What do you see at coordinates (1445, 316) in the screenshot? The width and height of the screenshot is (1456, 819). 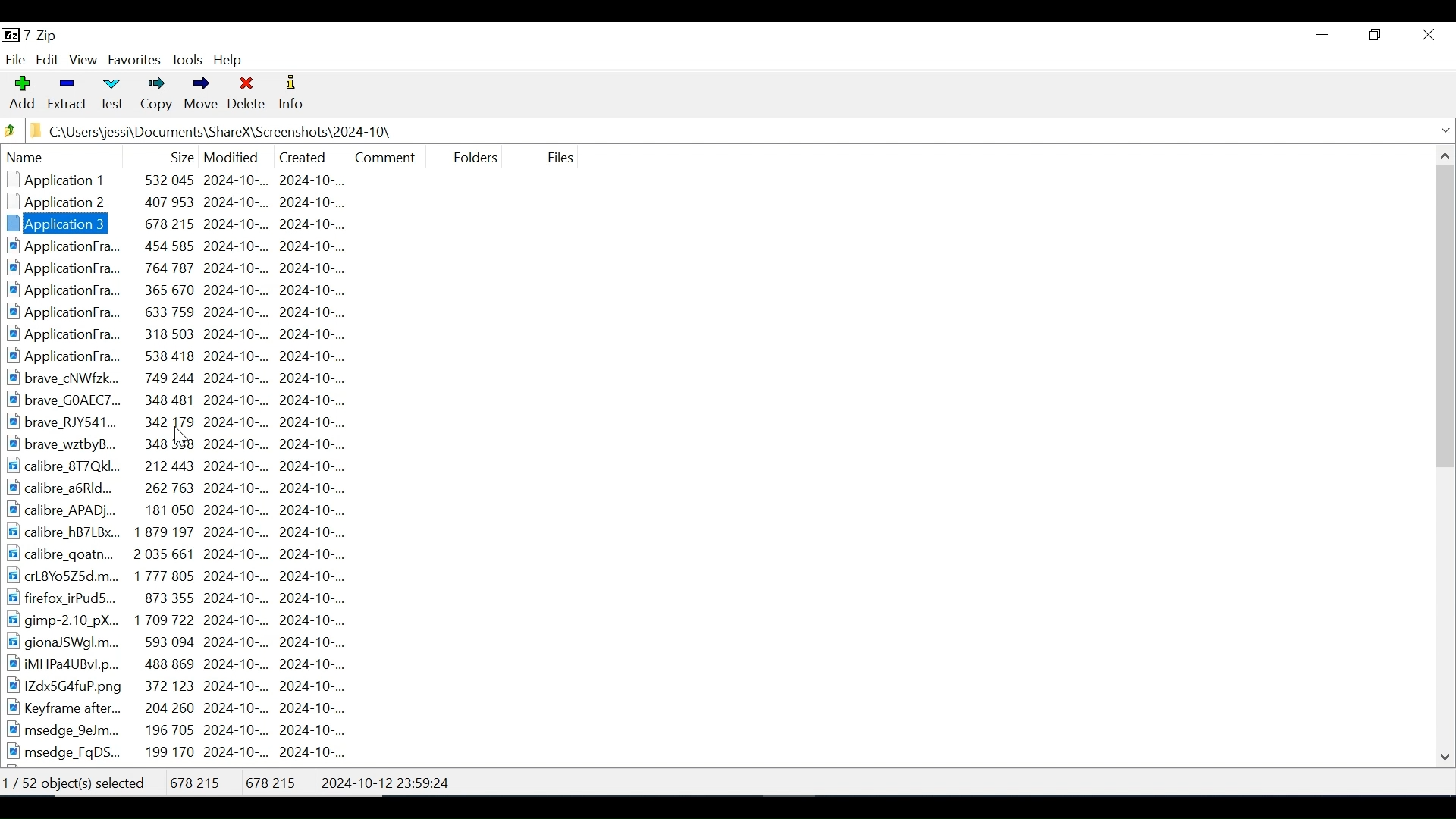 I see `Vertical Scroll bar` at bounding box center [1445, 316].